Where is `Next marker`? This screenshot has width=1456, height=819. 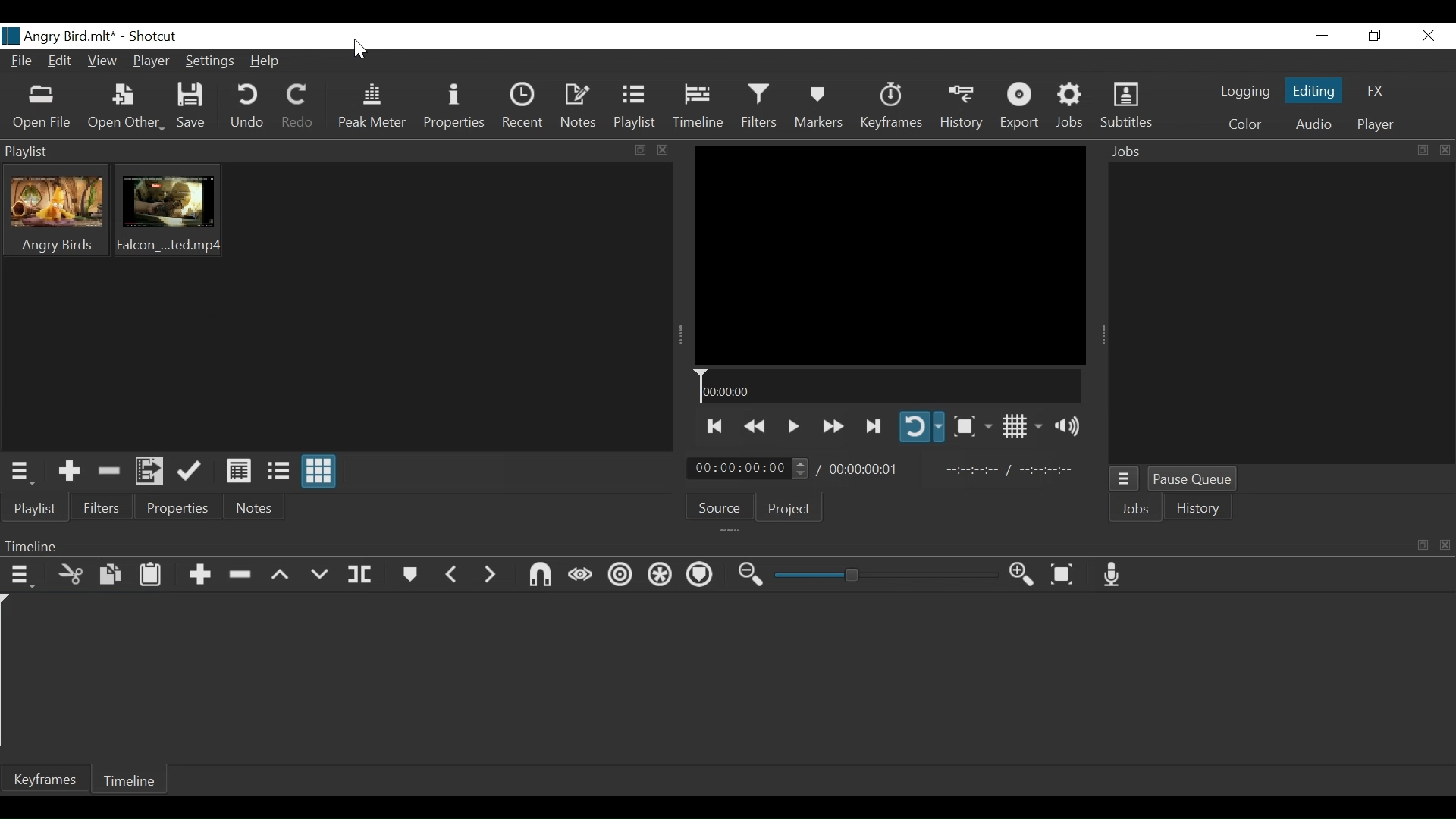 Next marker is located at coordinates (492, 576).